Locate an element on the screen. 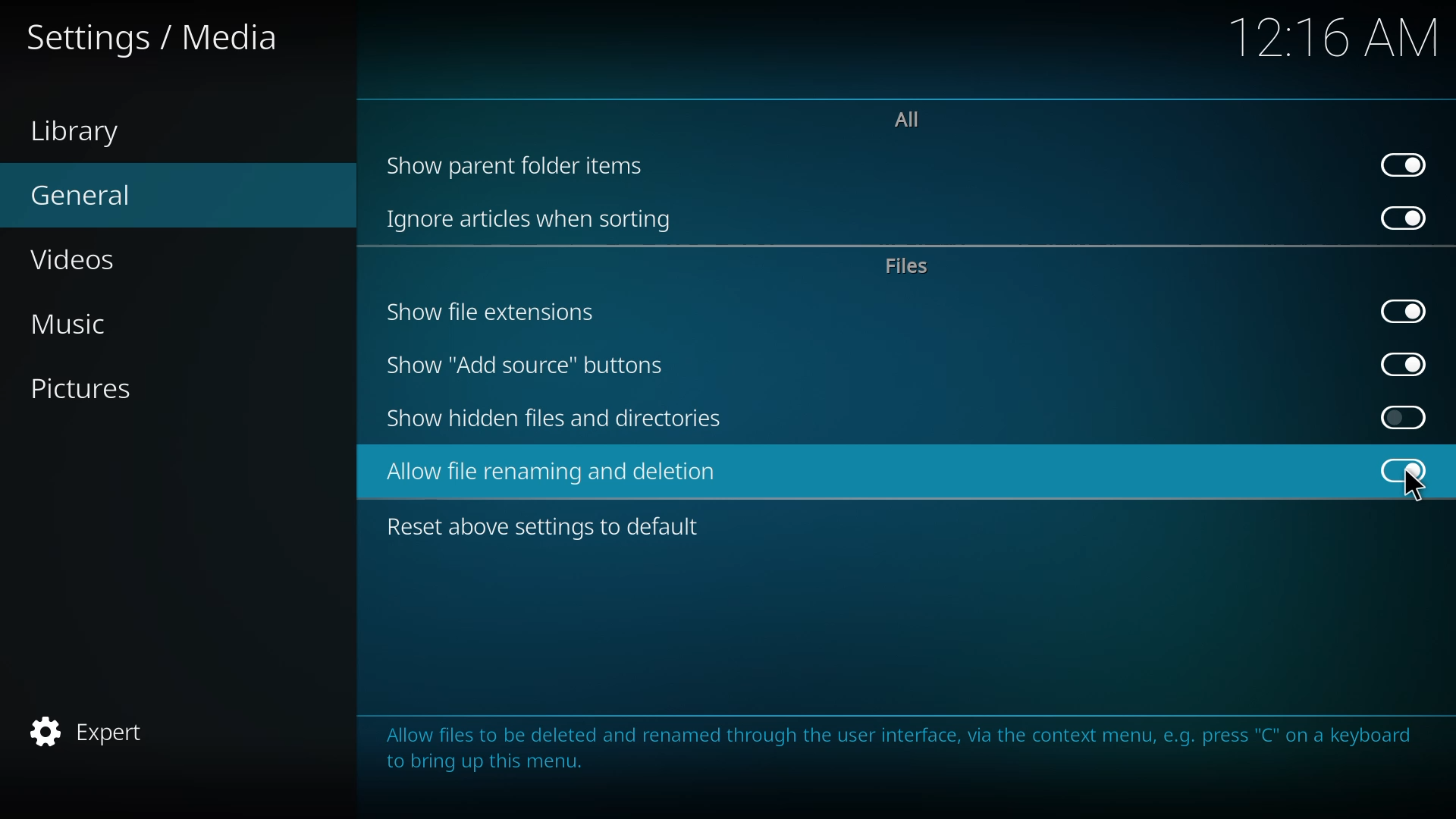 The height and width of the screenshot is (819, 1456). click to enable is located at coordinates (1404, 417).